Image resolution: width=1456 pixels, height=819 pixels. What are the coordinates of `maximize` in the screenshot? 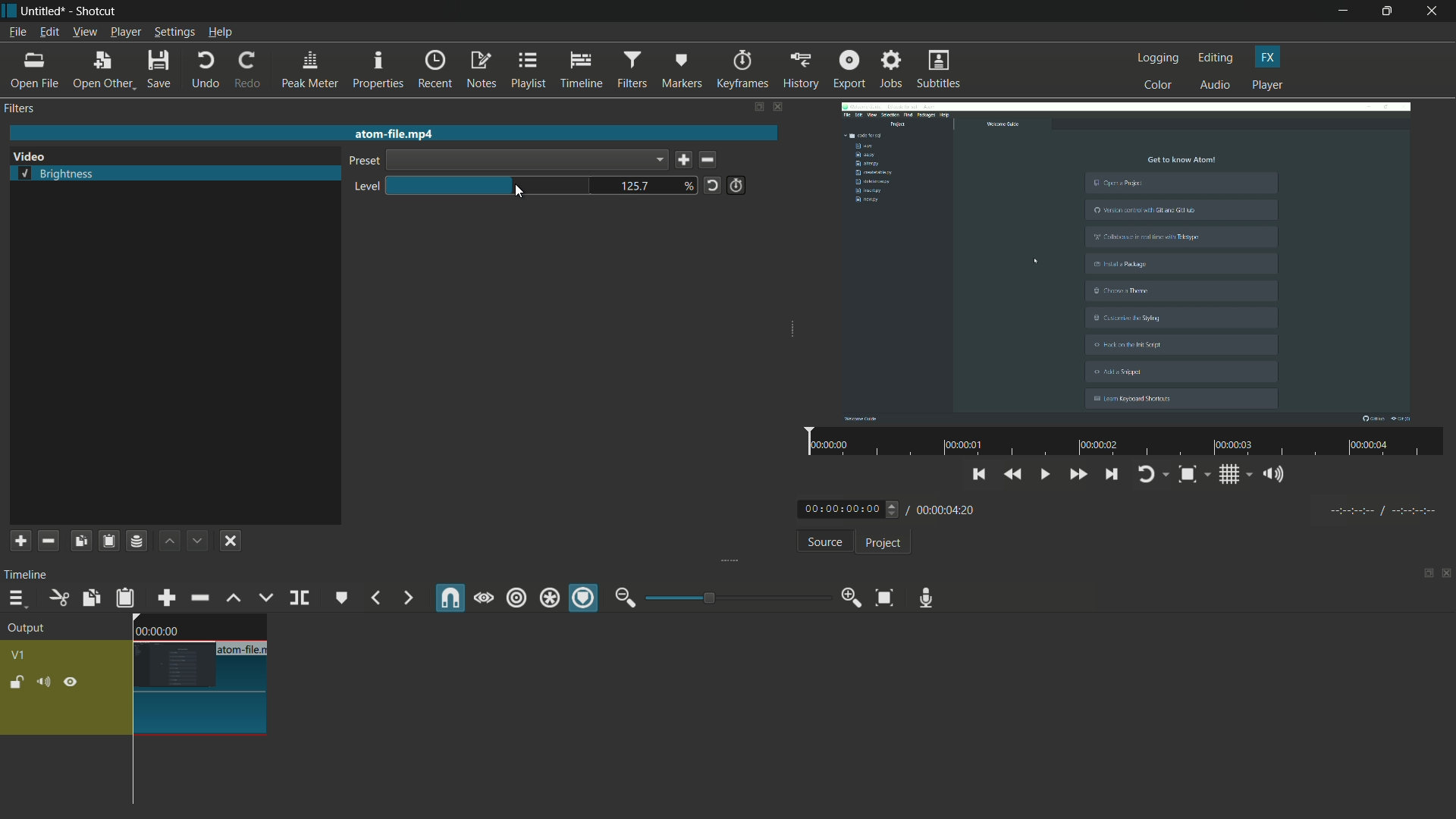 It's located at (1389, 11).